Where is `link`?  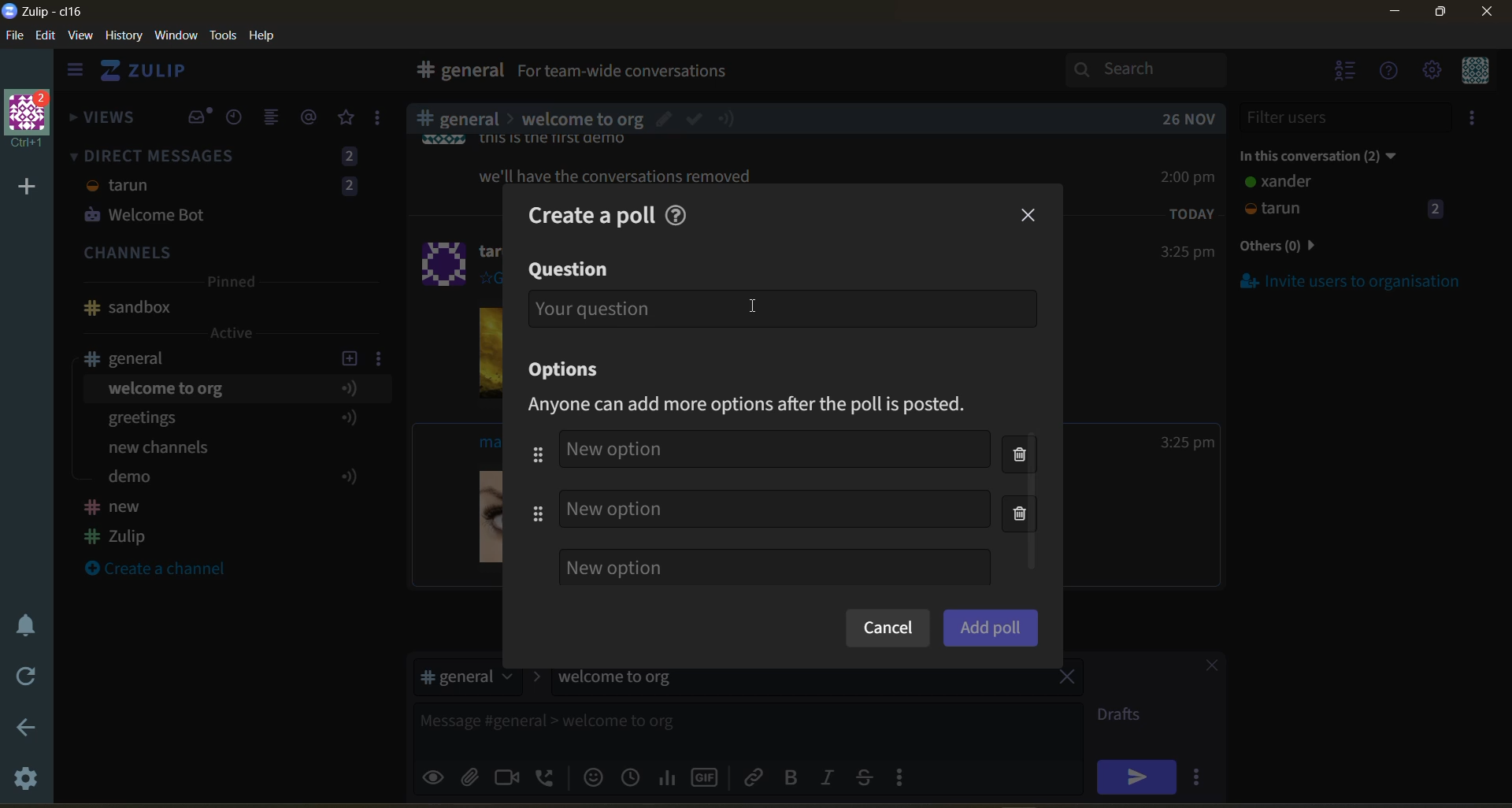
link is located at coordinates (755, 776).